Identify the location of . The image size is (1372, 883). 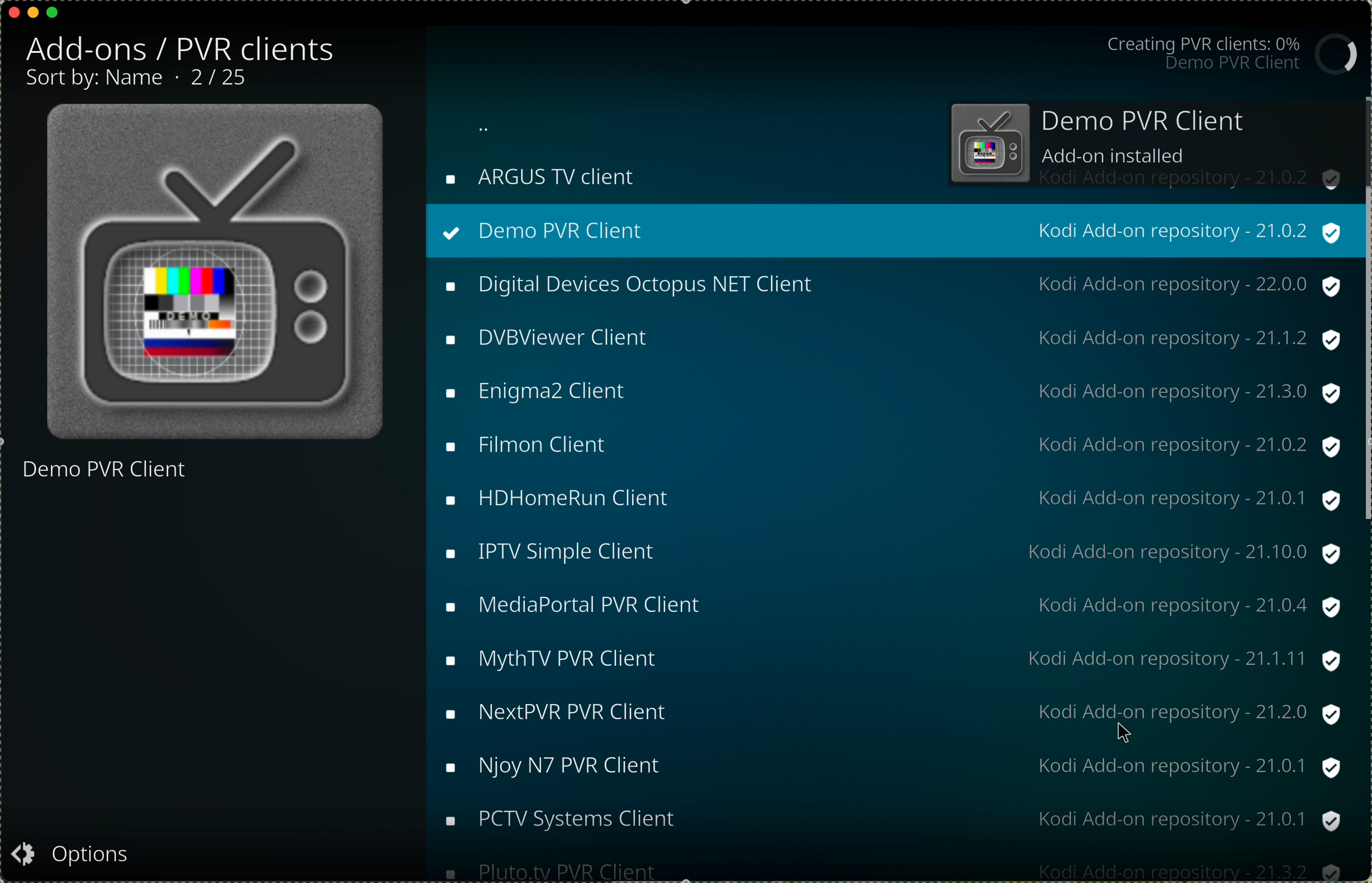
(890, 766).